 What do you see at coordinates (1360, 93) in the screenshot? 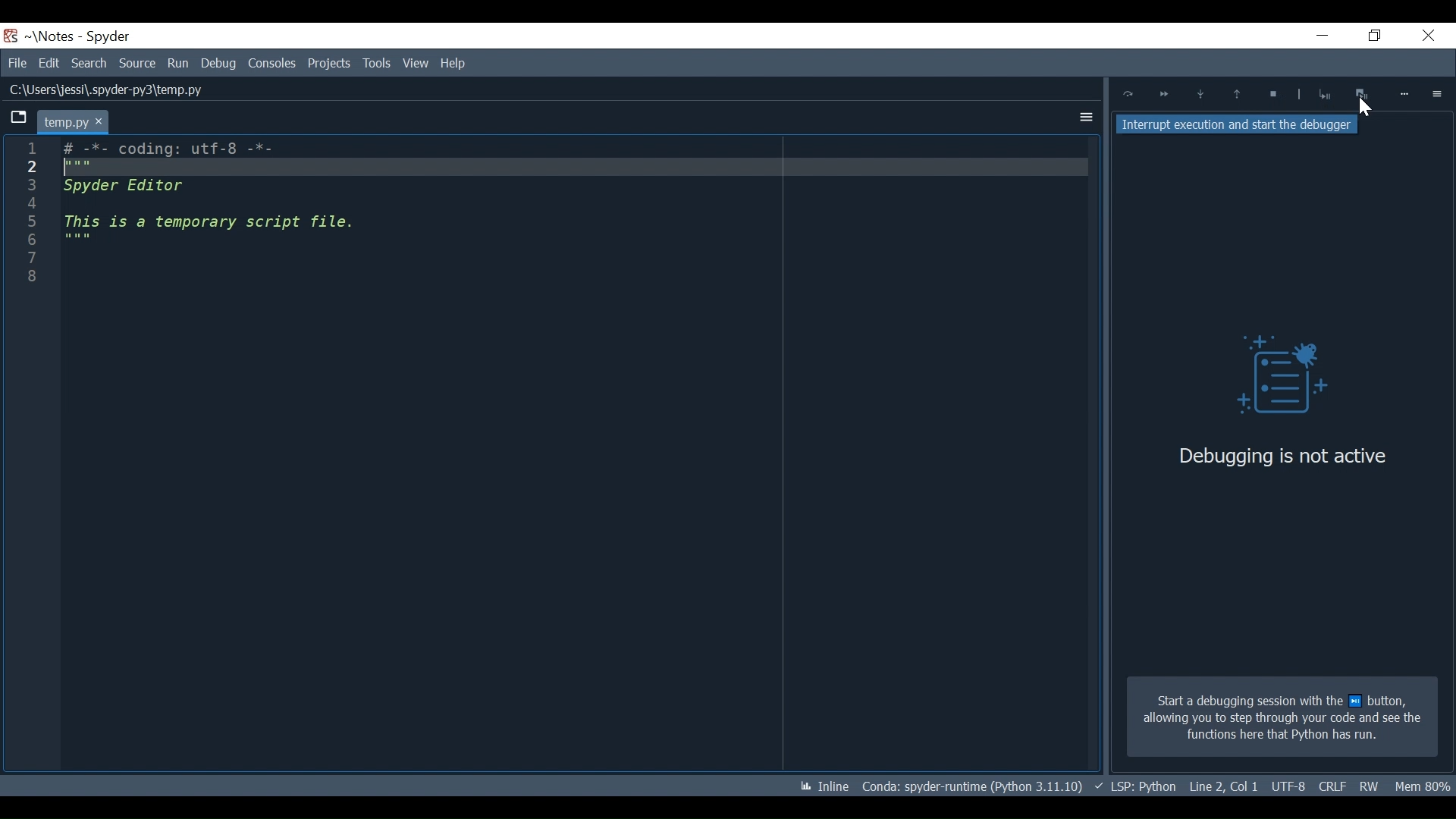
I see `Interrupt execution and start the debugger` at bounding box center [1360, 93].